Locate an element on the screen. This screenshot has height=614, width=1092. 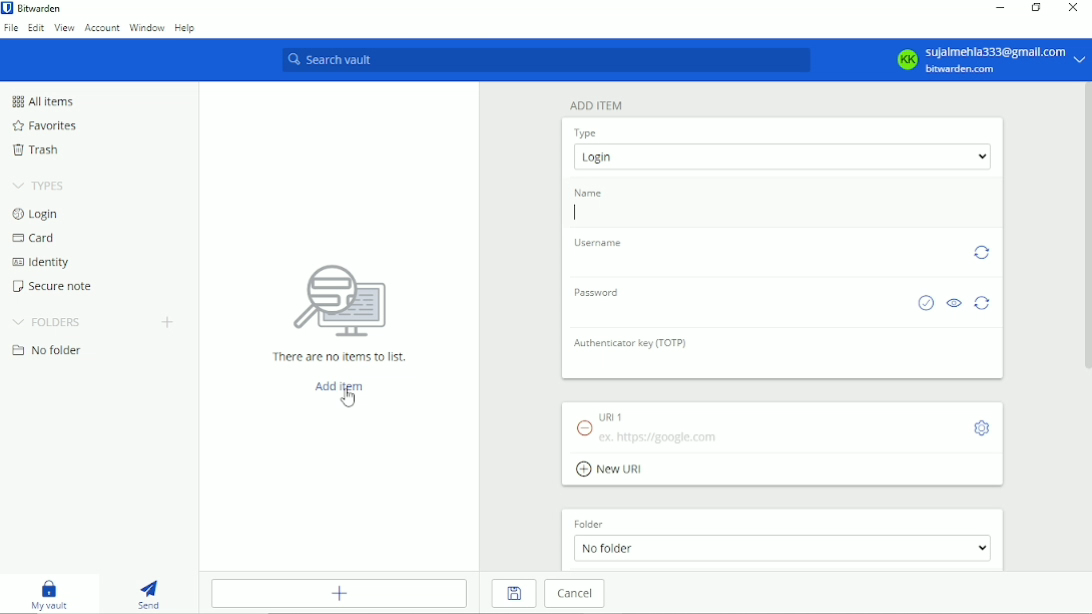
View is located at coordinates (64, 30).